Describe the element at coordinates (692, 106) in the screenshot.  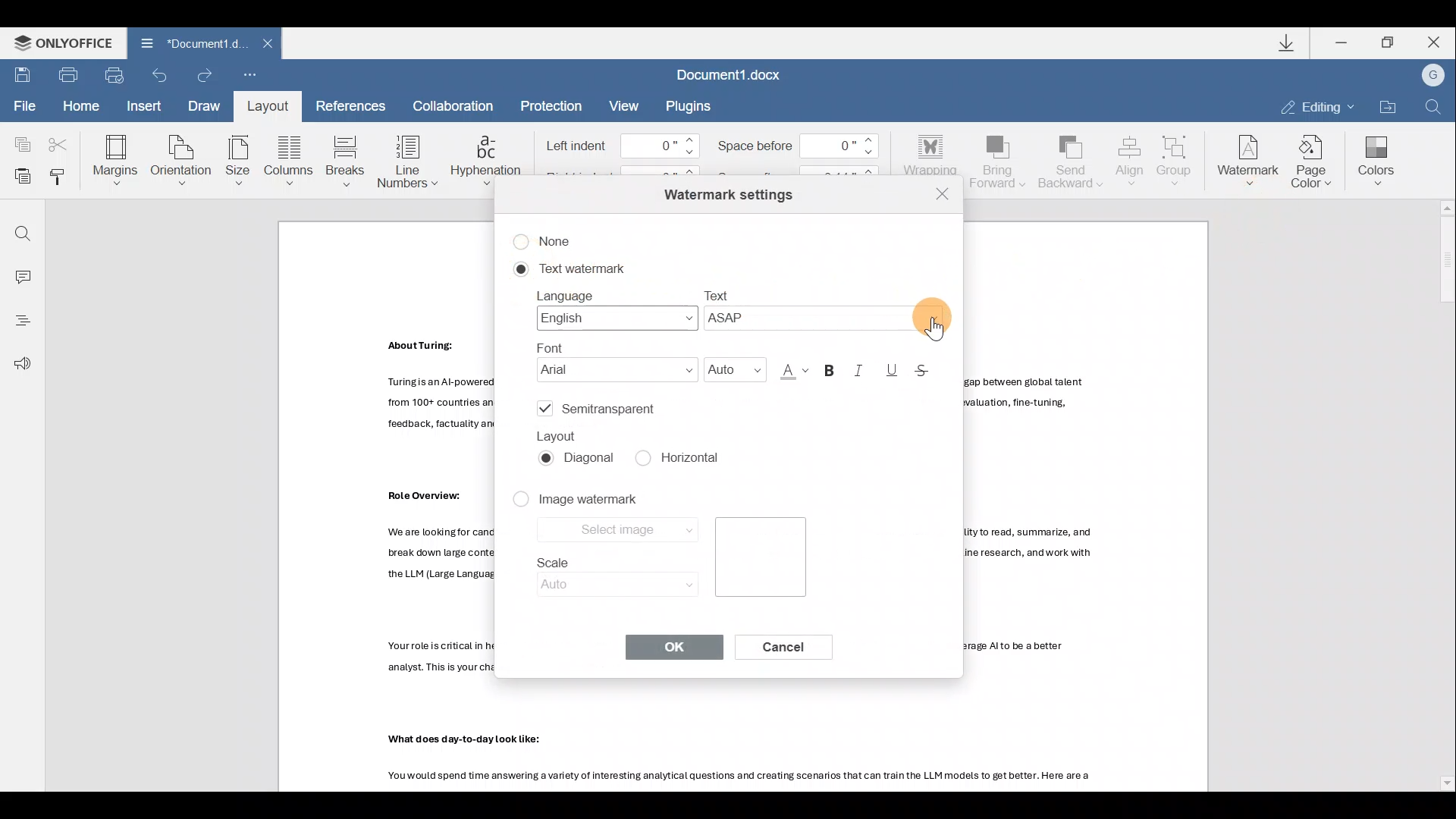
I see `Plugins` at that location.